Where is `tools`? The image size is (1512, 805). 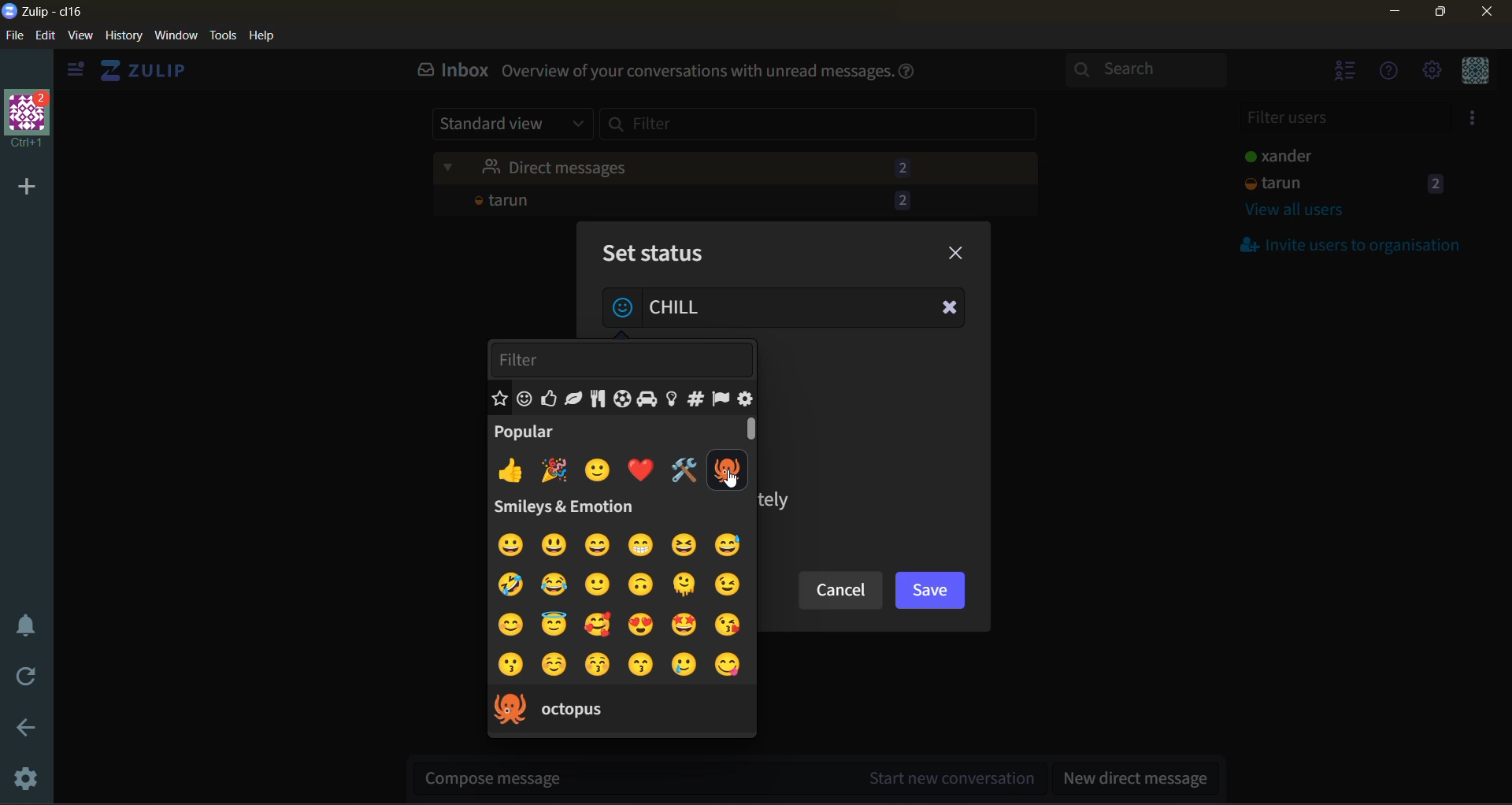
tools is located at coordinates (225, 35).